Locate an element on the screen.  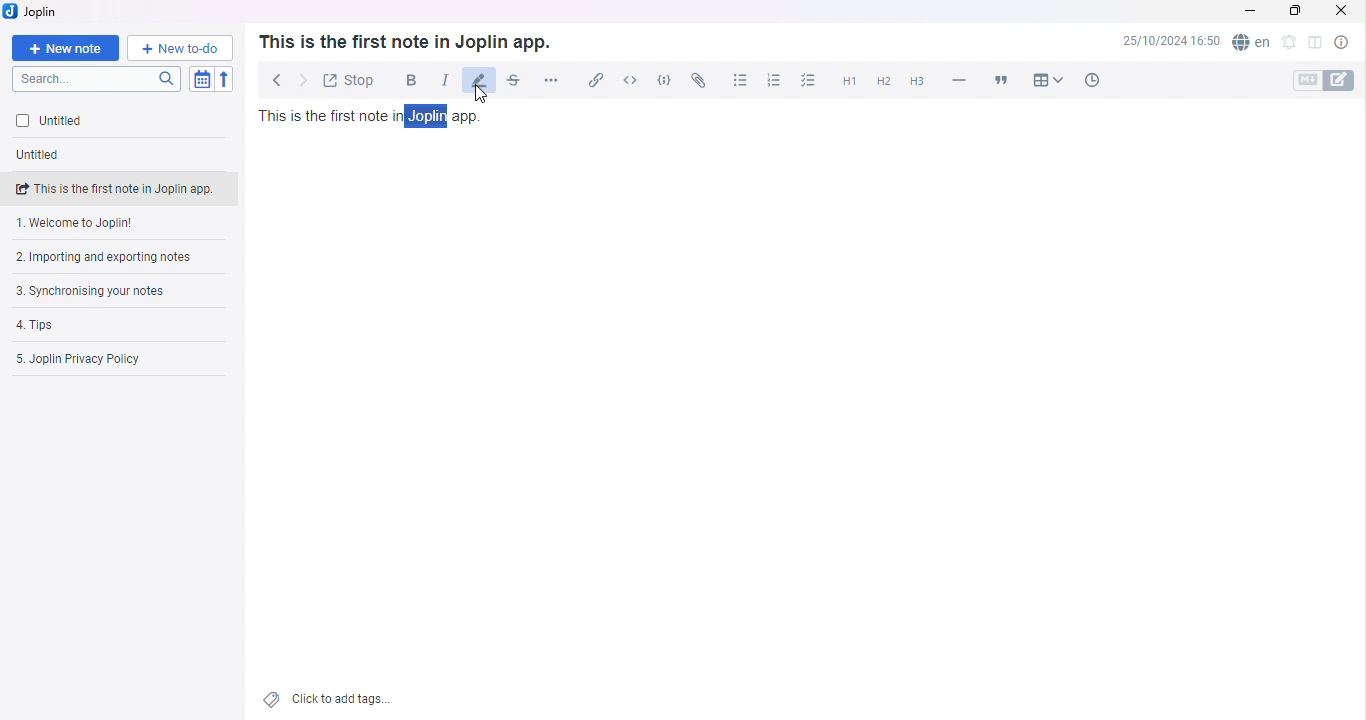
Bullet list is located at coordinates (739, 79).